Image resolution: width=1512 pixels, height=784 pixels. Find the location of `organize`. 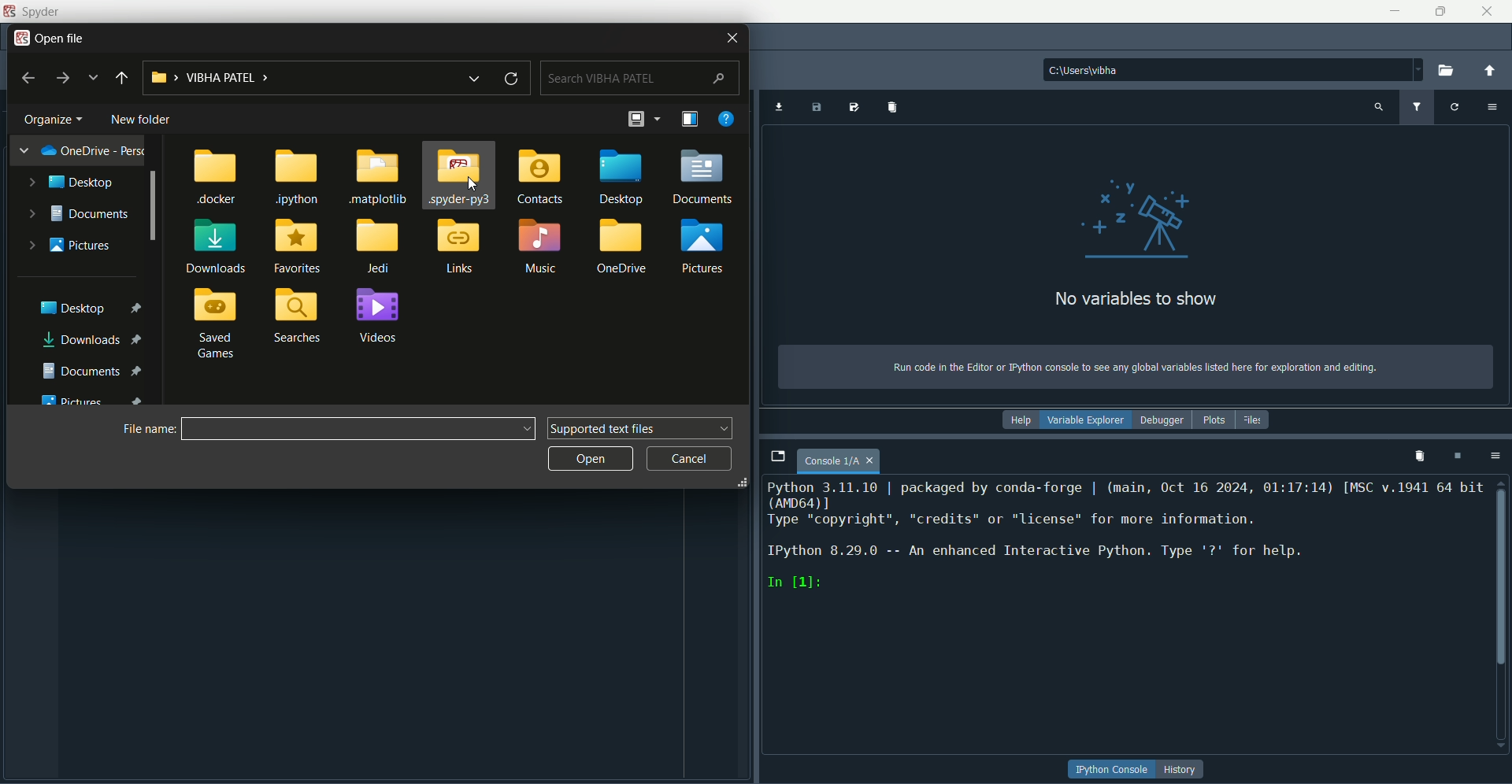

organize is located at coordinates (56, 118).